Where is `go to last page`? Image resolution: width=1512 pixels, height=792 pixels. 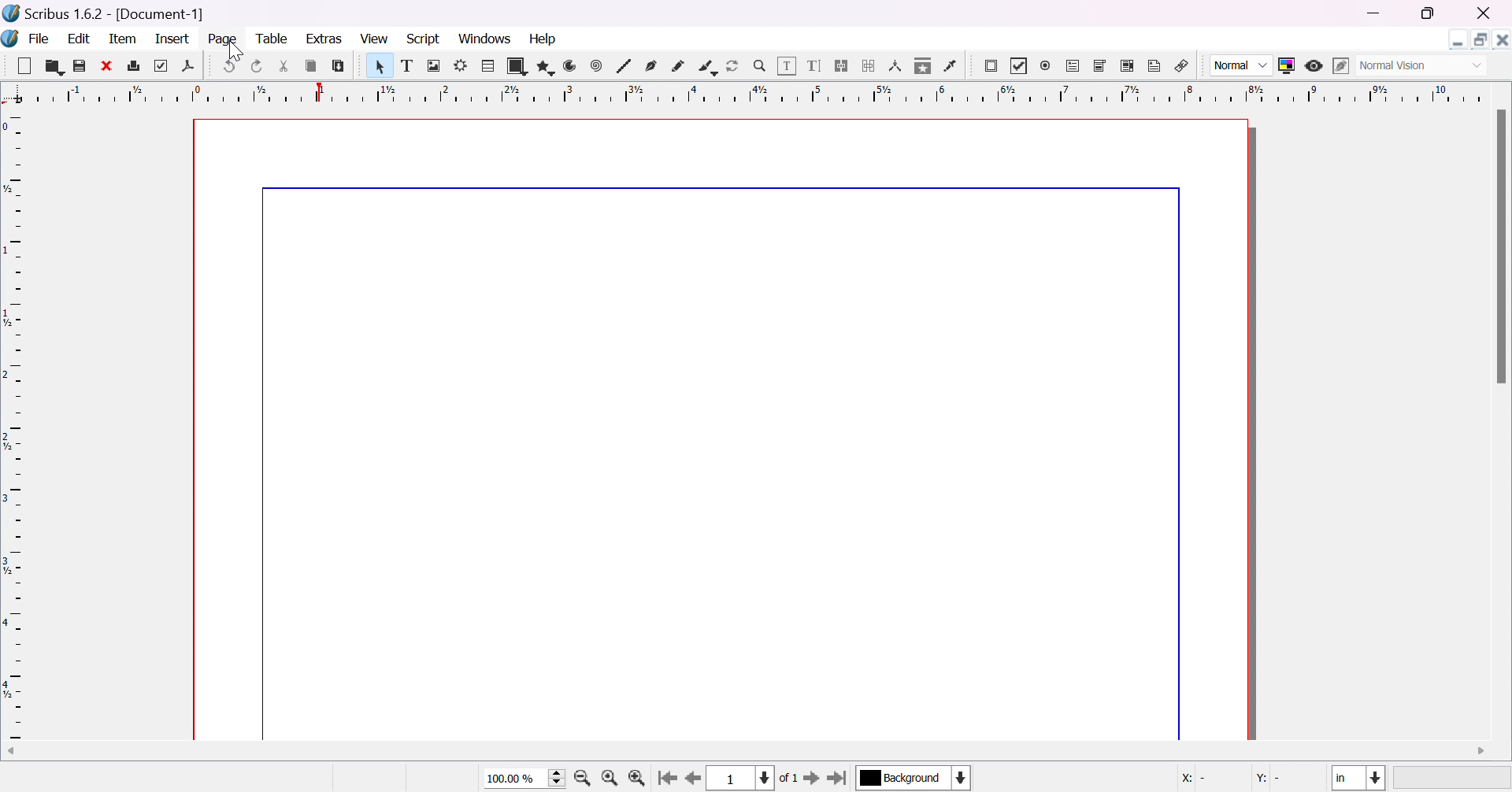
go to last page is located at coordinates (840, 777).